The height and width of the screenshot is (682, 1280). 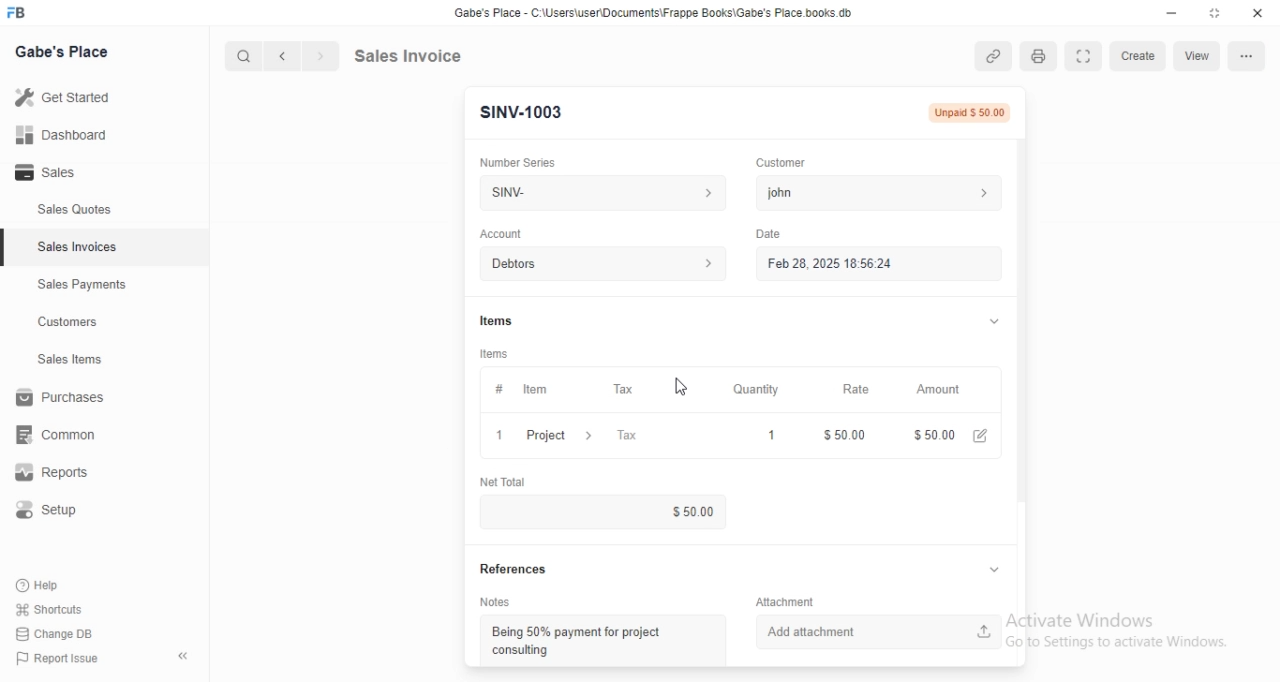 What do you see at coordinates (69, 141) in the screenshot?
I see `all Dashboard` at bounding box center [69, 141].